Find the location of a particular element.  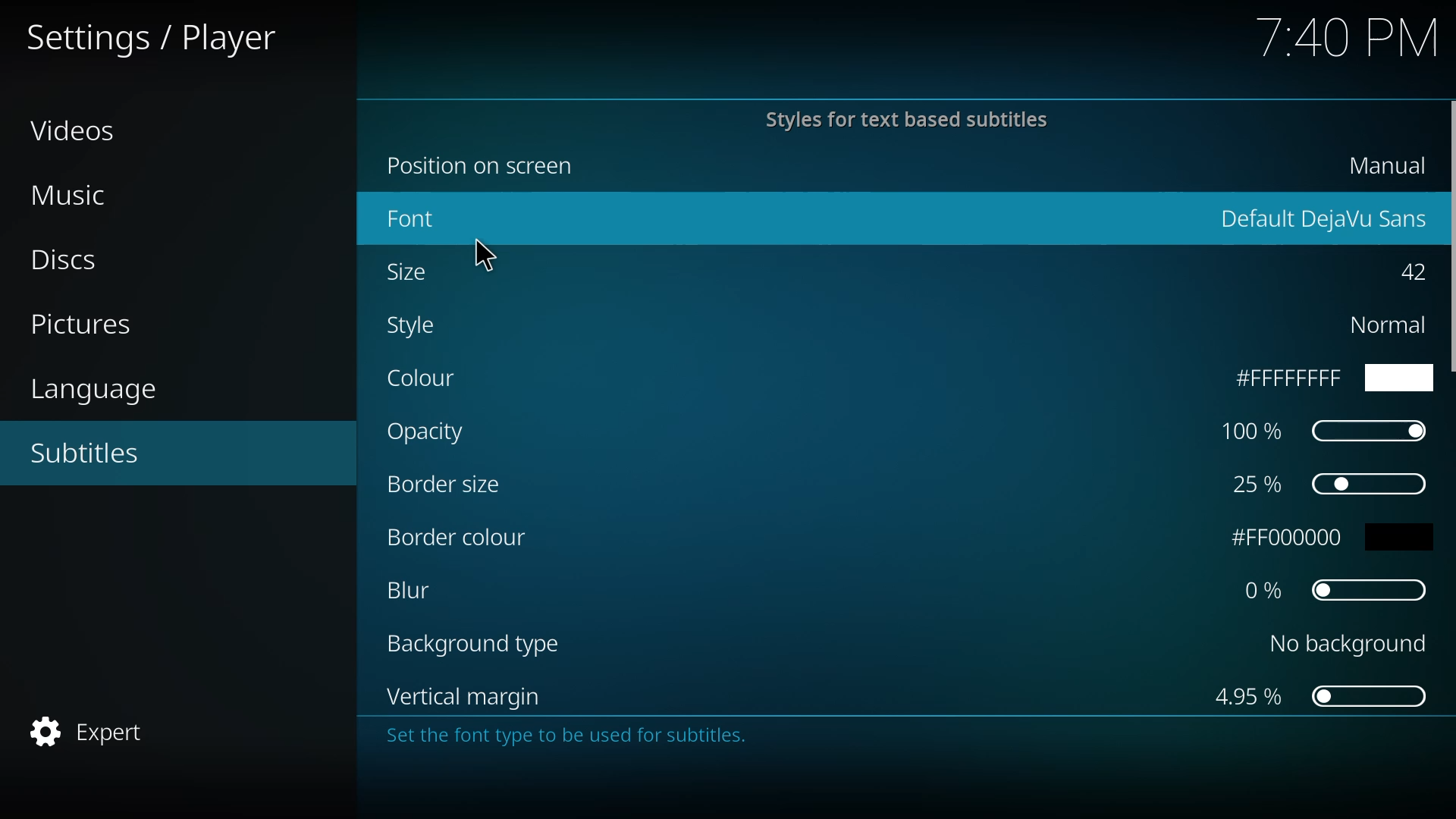

background type is located at coordinates (472, 644).